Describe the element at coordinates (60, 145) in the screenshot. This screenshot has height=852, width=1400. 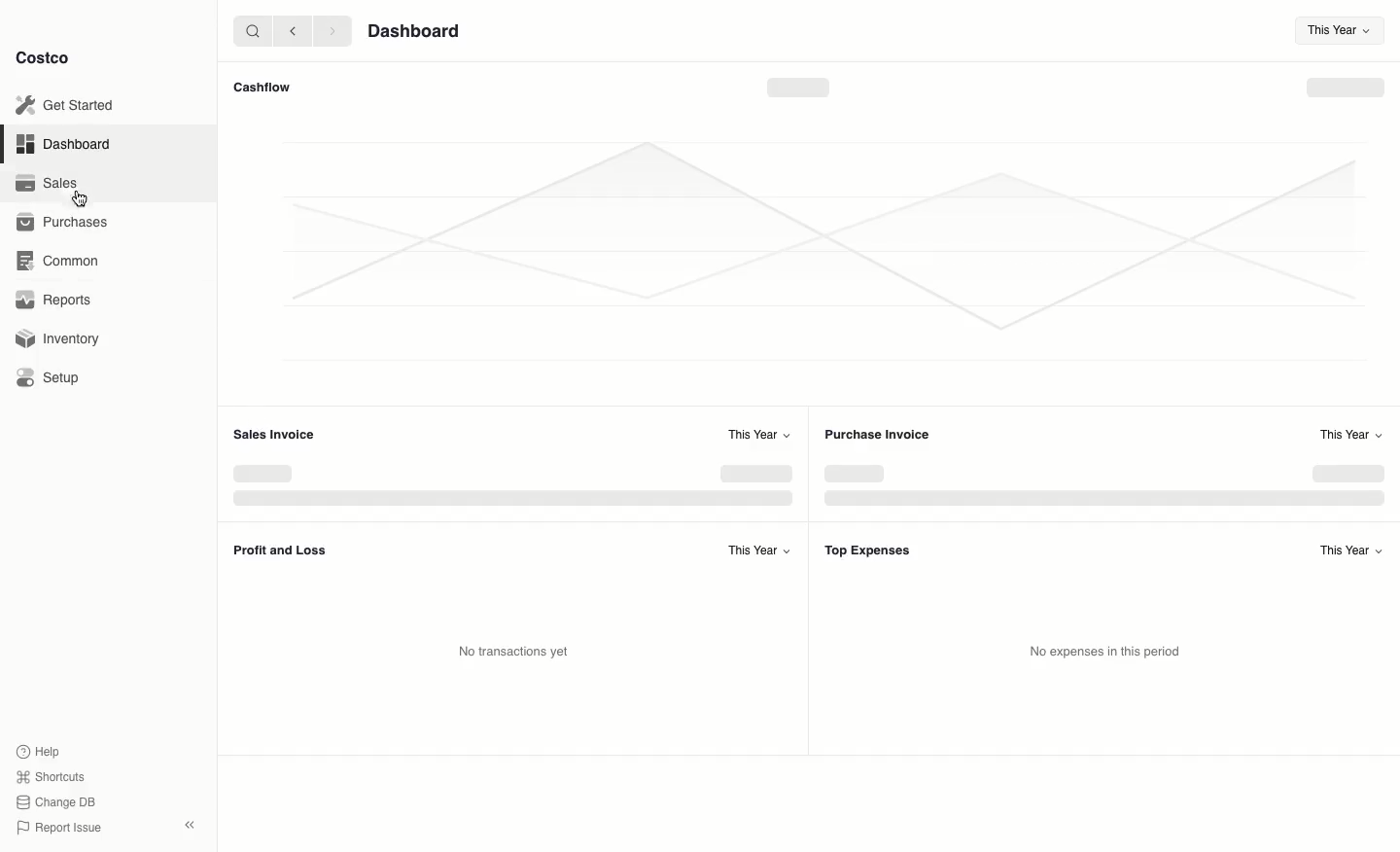
I see `Dashboard` at that location.